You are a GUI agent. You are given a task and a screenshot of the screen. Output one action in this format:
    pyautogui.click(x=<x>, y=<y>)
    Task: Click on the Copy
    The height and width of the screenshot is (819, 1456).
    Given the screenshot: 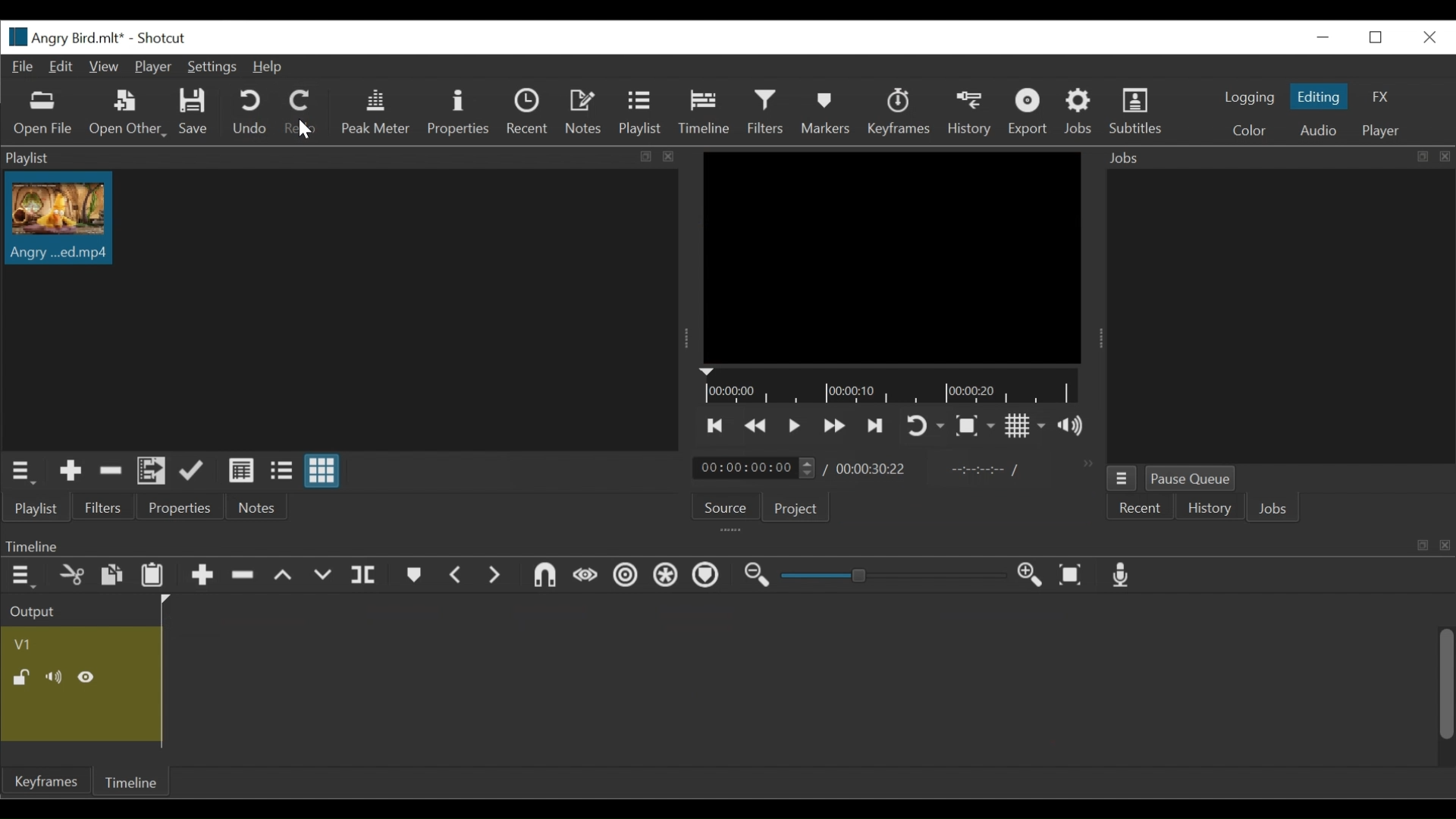 What is the action you would take?
    pyautogui.click(x=111, y=576)
    